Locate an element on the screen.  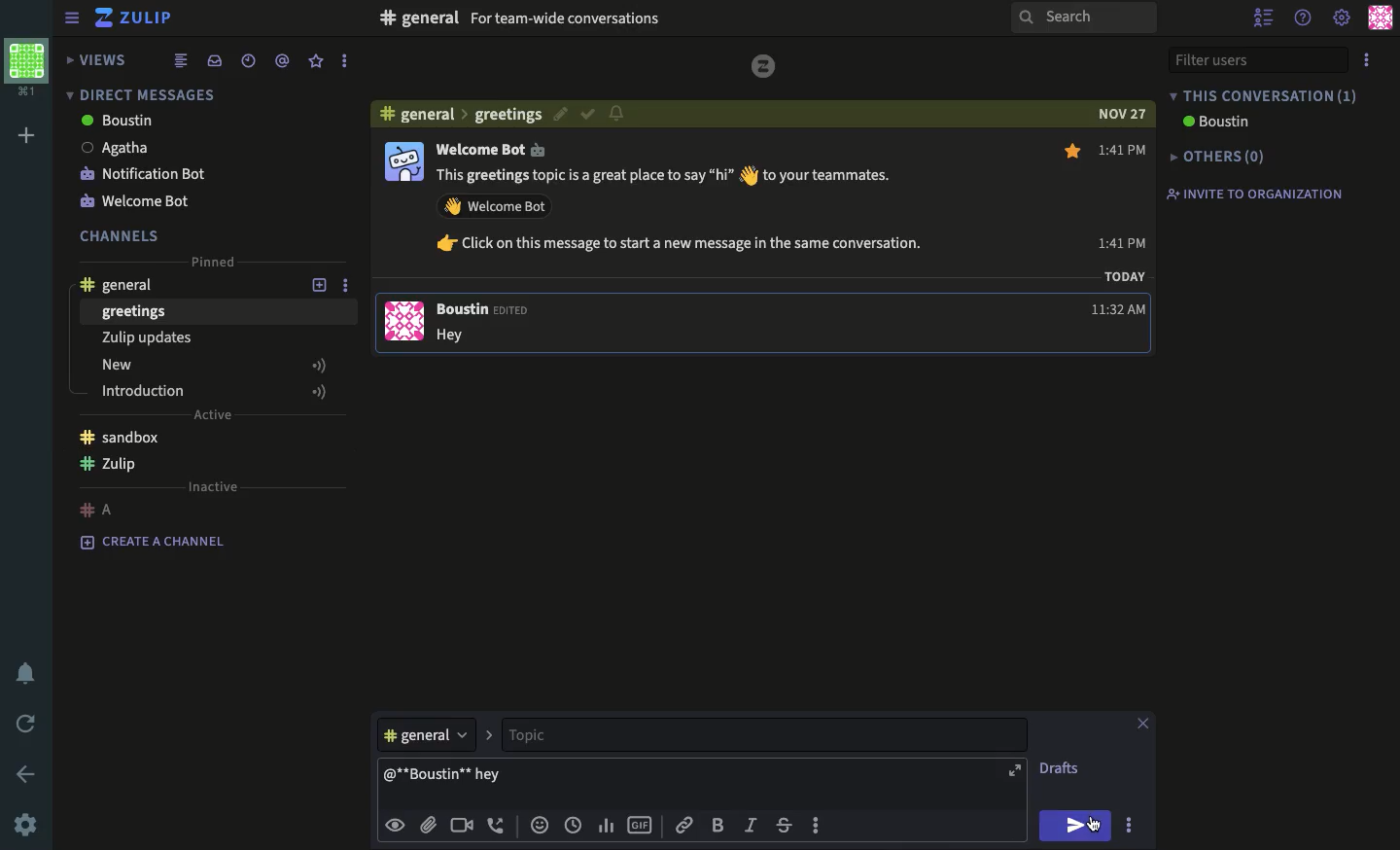
chart is located at coordinates (609, 826).